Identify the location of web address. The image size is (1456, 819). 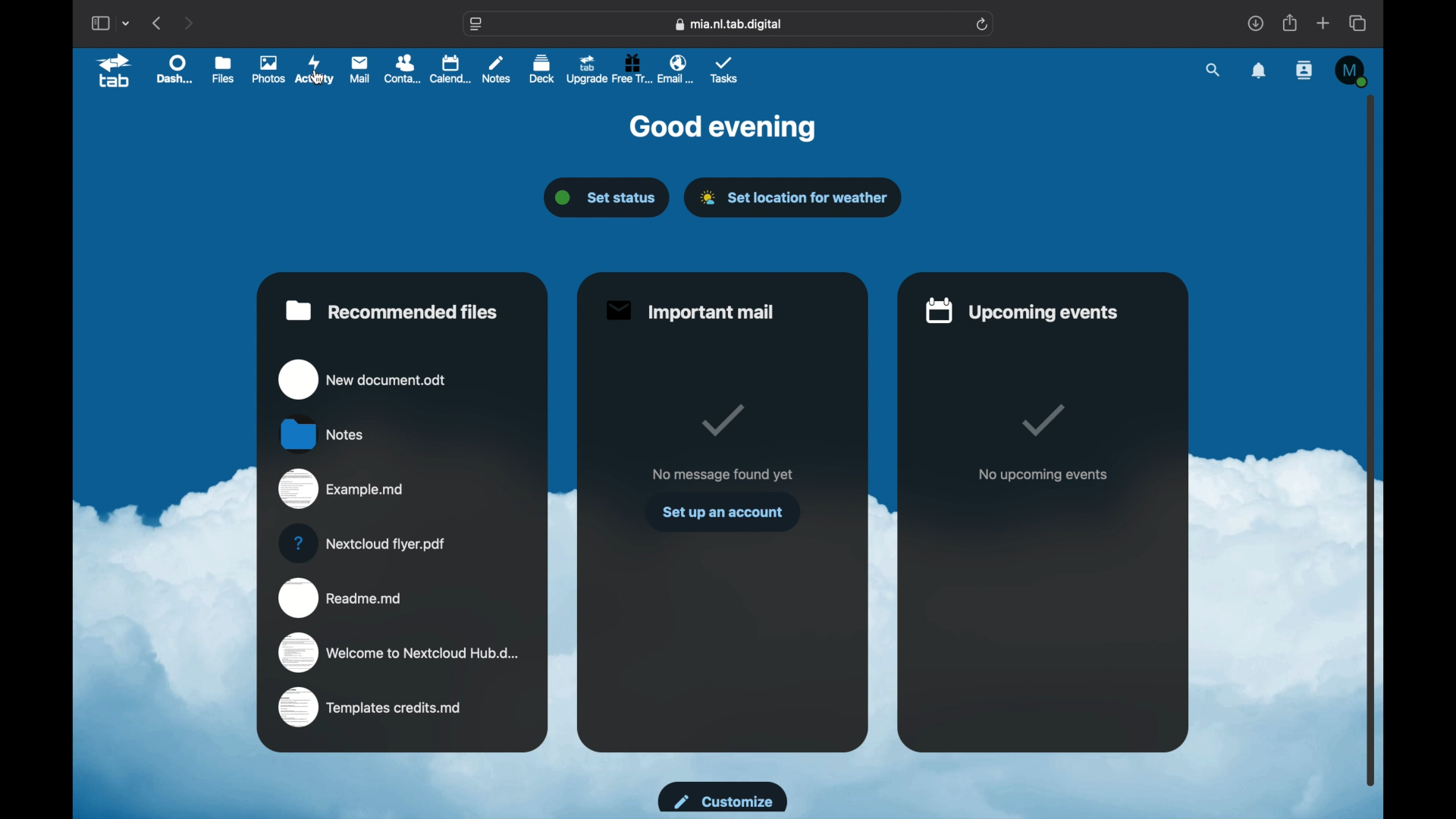
(728, 24).